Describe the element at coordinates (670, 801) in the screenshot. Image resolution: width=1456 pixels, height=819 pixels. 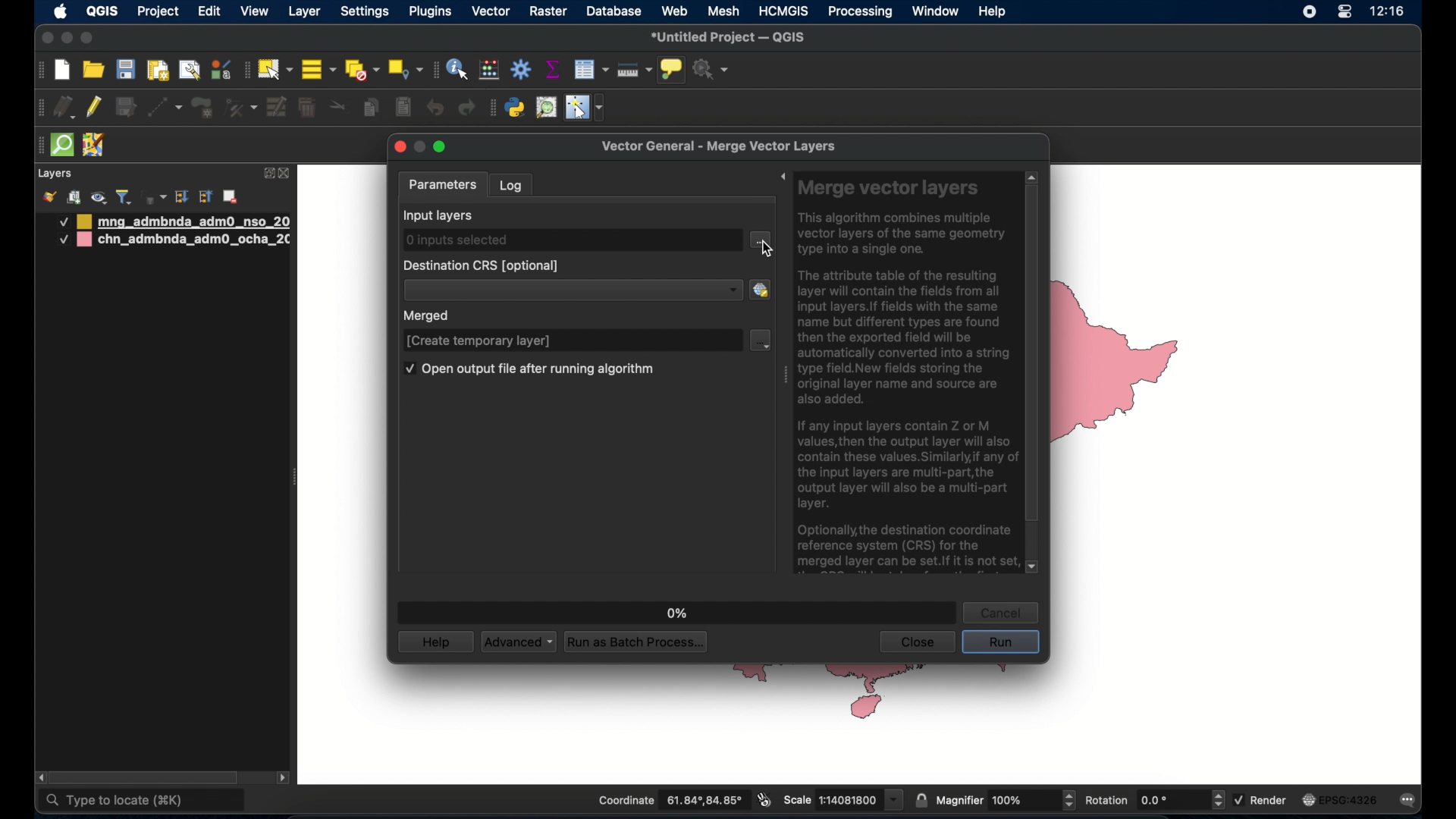
I see `coordinate` at that location.